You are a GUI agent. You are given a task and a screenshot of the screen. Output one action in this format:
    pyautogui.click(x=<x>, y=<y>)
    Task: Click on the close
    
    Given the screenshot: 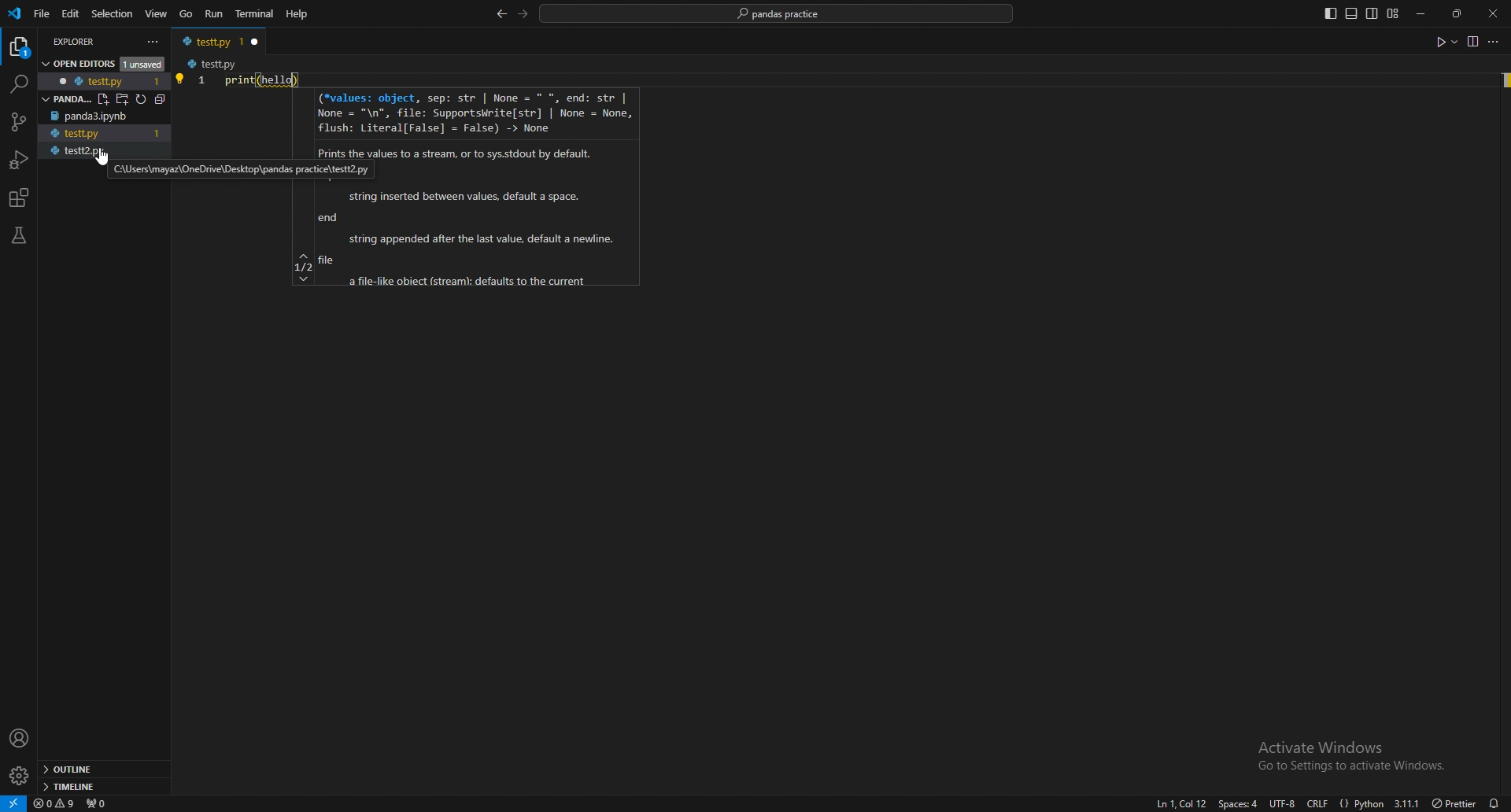 What is the action you would take?
    pyautogui.click(x=1493, y=13)
    